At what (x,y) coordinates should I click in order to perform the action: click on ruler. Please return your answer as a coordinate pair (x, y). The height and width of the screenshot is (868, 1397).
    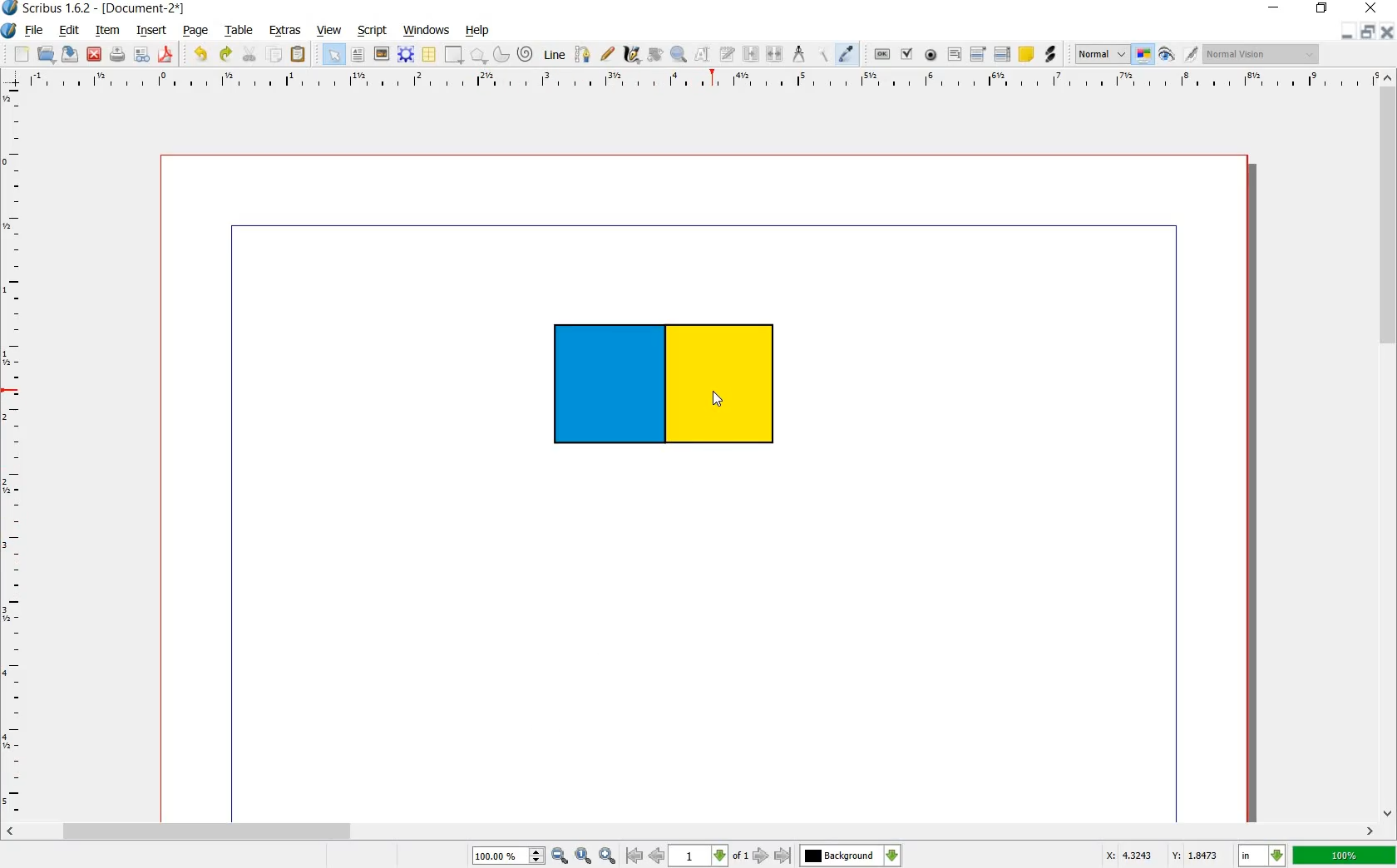
    Looking at the image, I should click on (701, 84).